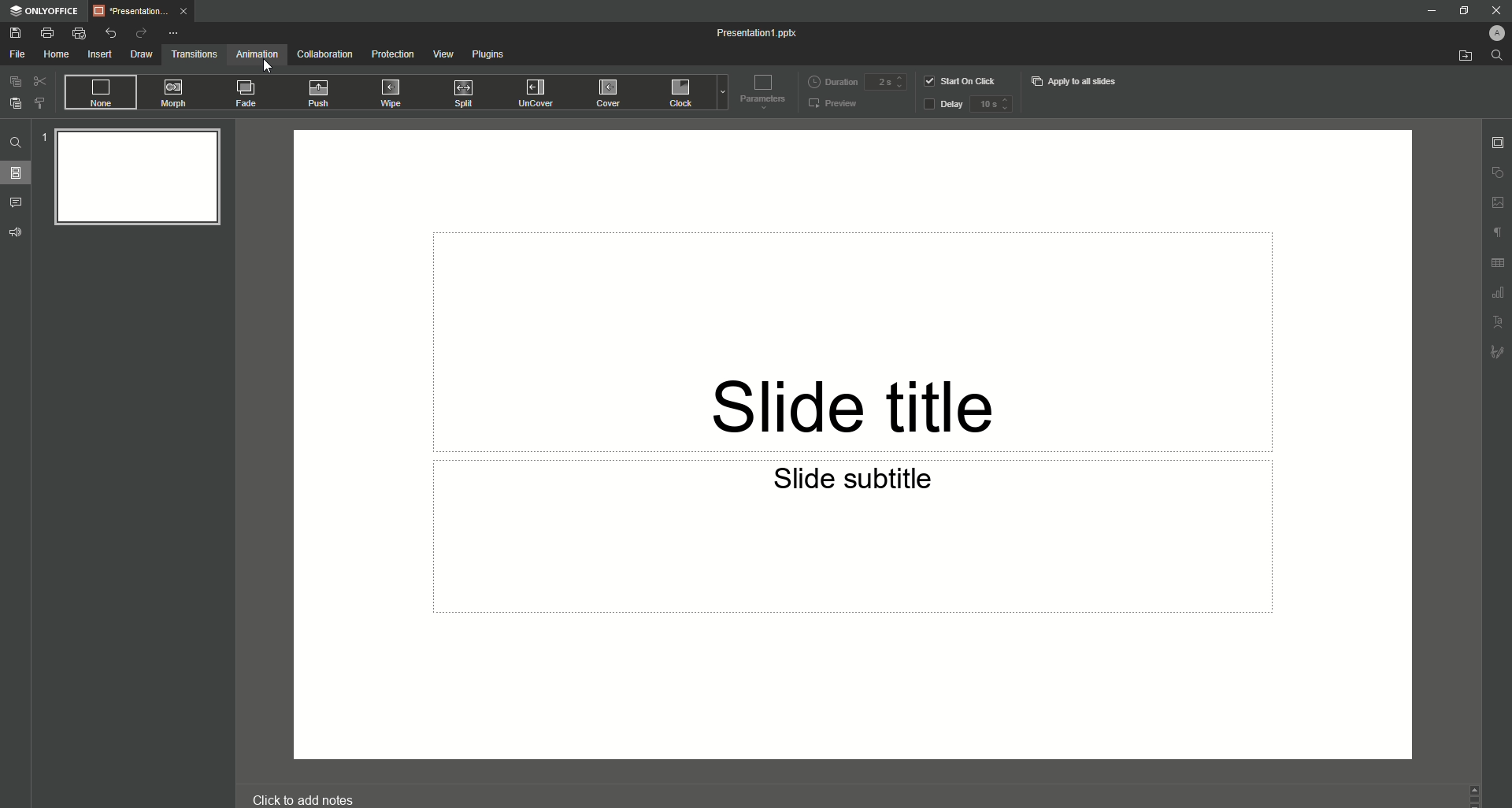 Image resolution: width=1512 pixels, height=808 pixels. What do you see at coordinates (1457, 56) in the screenshot?
I see `Open From File` at bounding box center [1457, 56].